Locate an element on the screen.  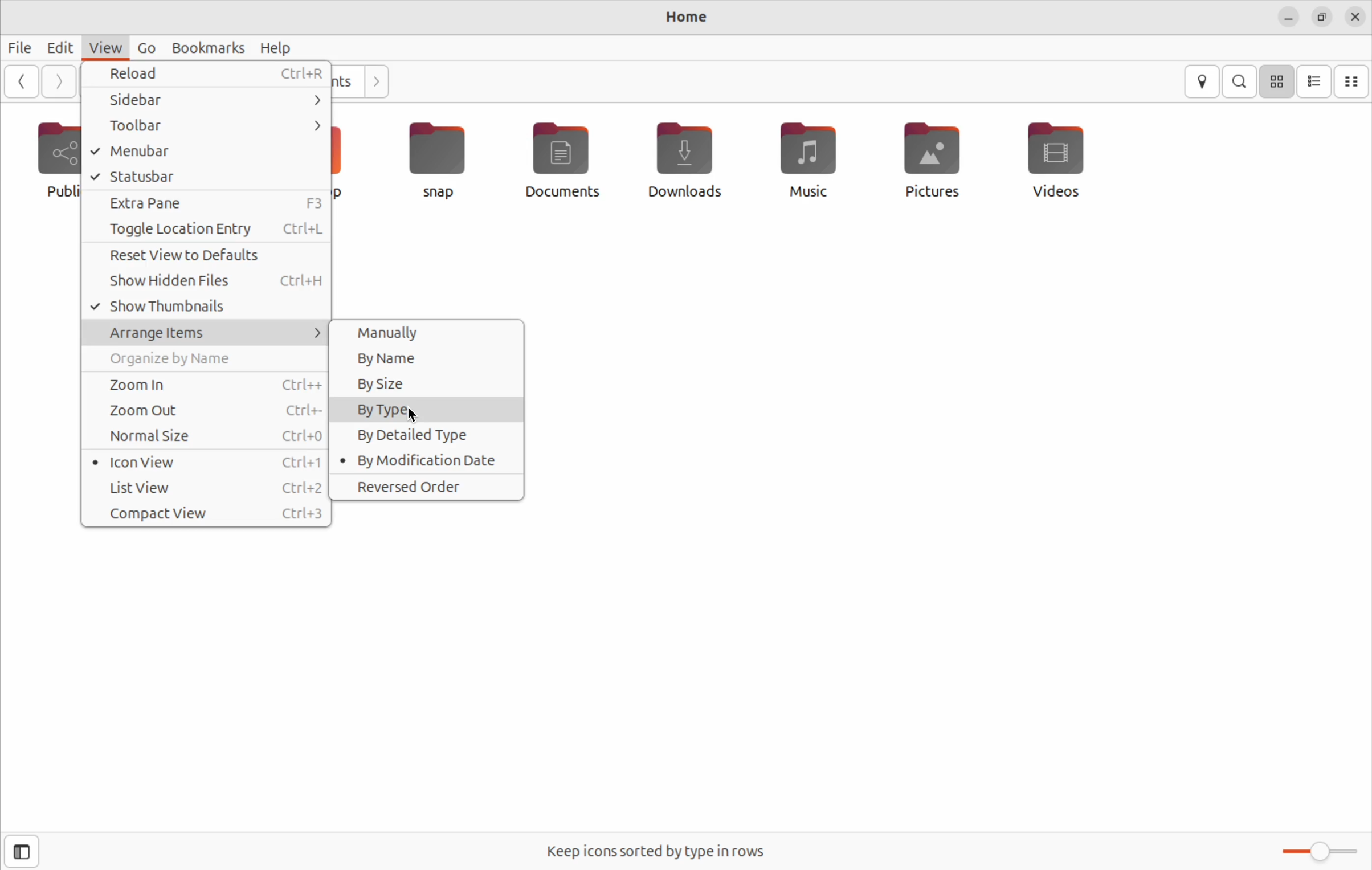
vidoes is located at coordinates (1047, 158).